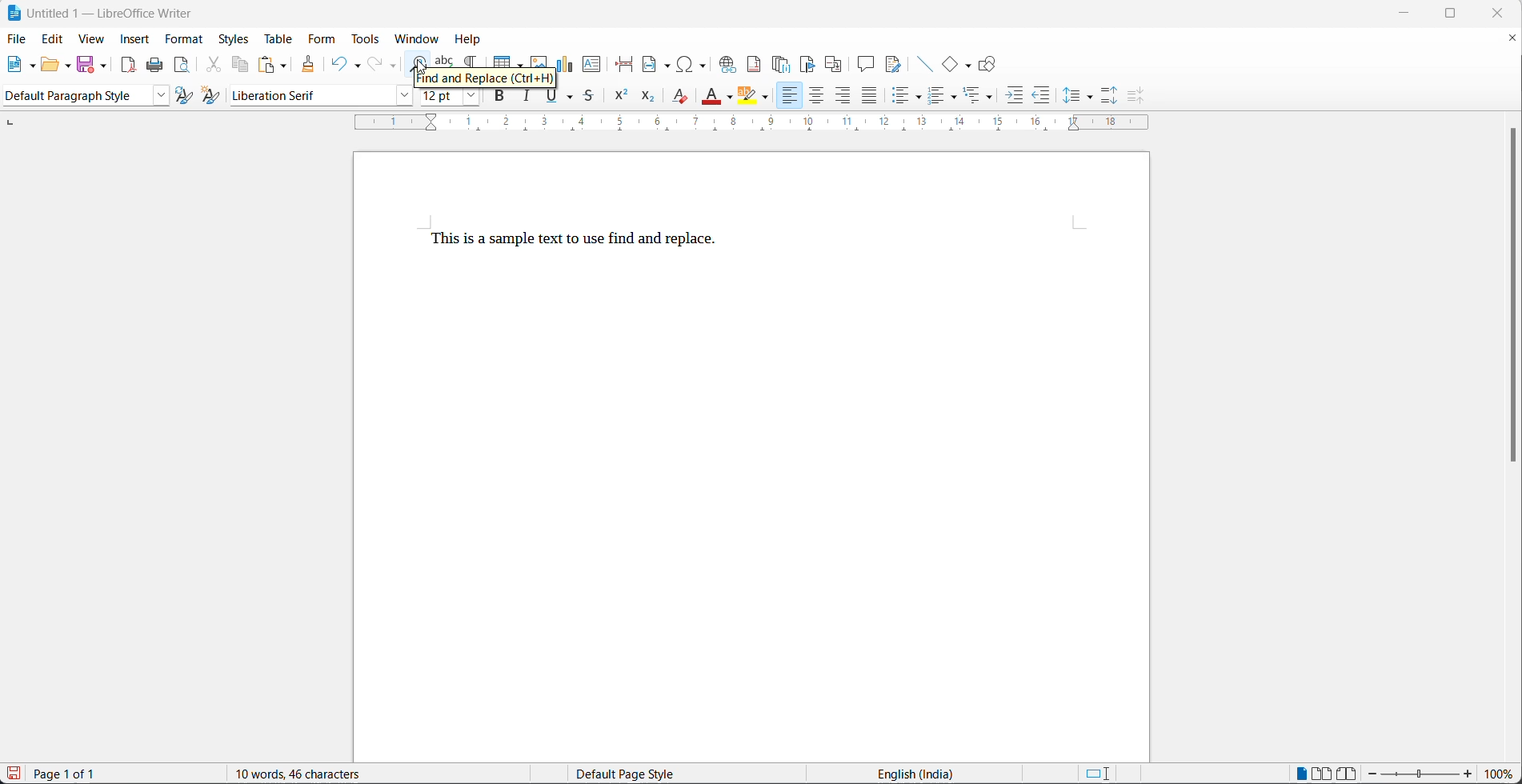  I want to click on insert comment, so click(866, 64).